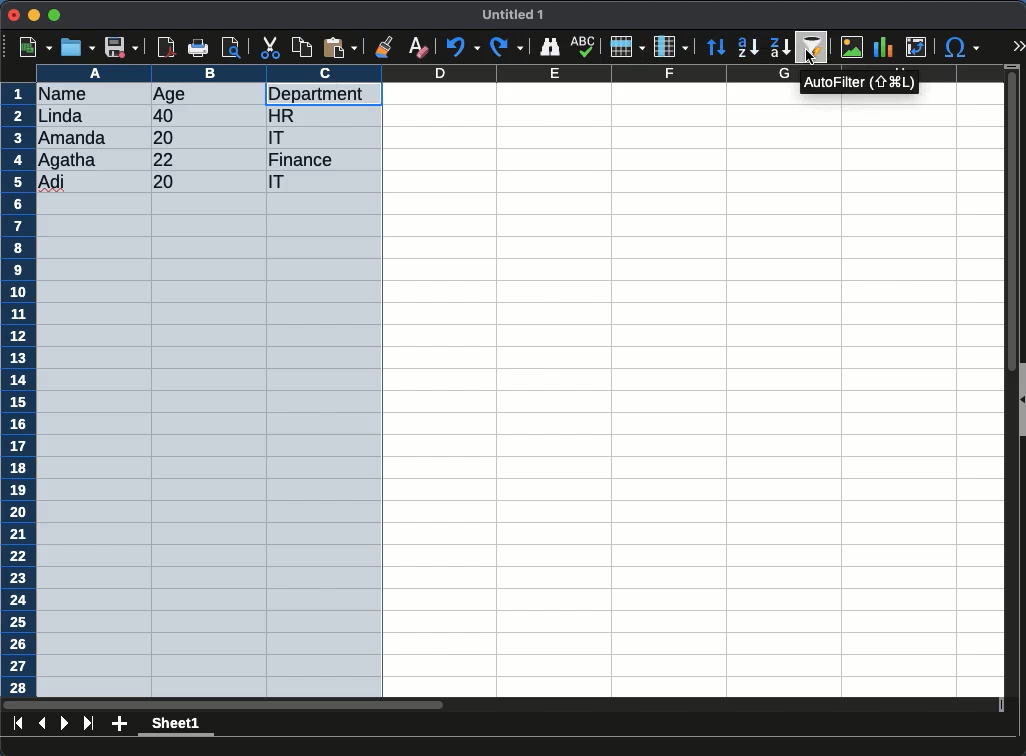 The height and width of the screenshot is (756, 1026). I want to click on paste, so click(340, 47).